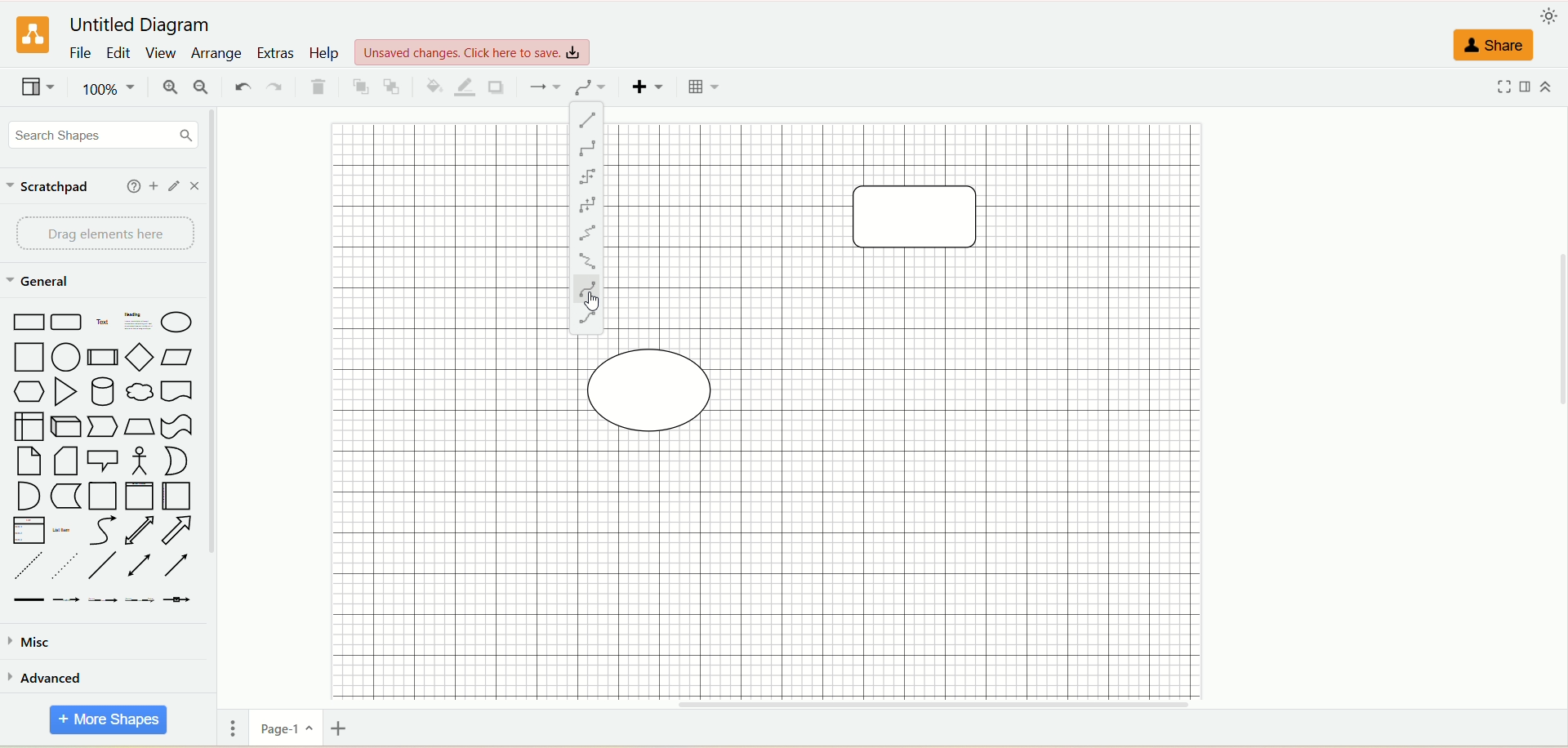 The width and height of the screenshot is (1568, 748). What do you see at coordinates (30, 36) in the screenshot?
I see `logo` at bounding box center [30, 36].